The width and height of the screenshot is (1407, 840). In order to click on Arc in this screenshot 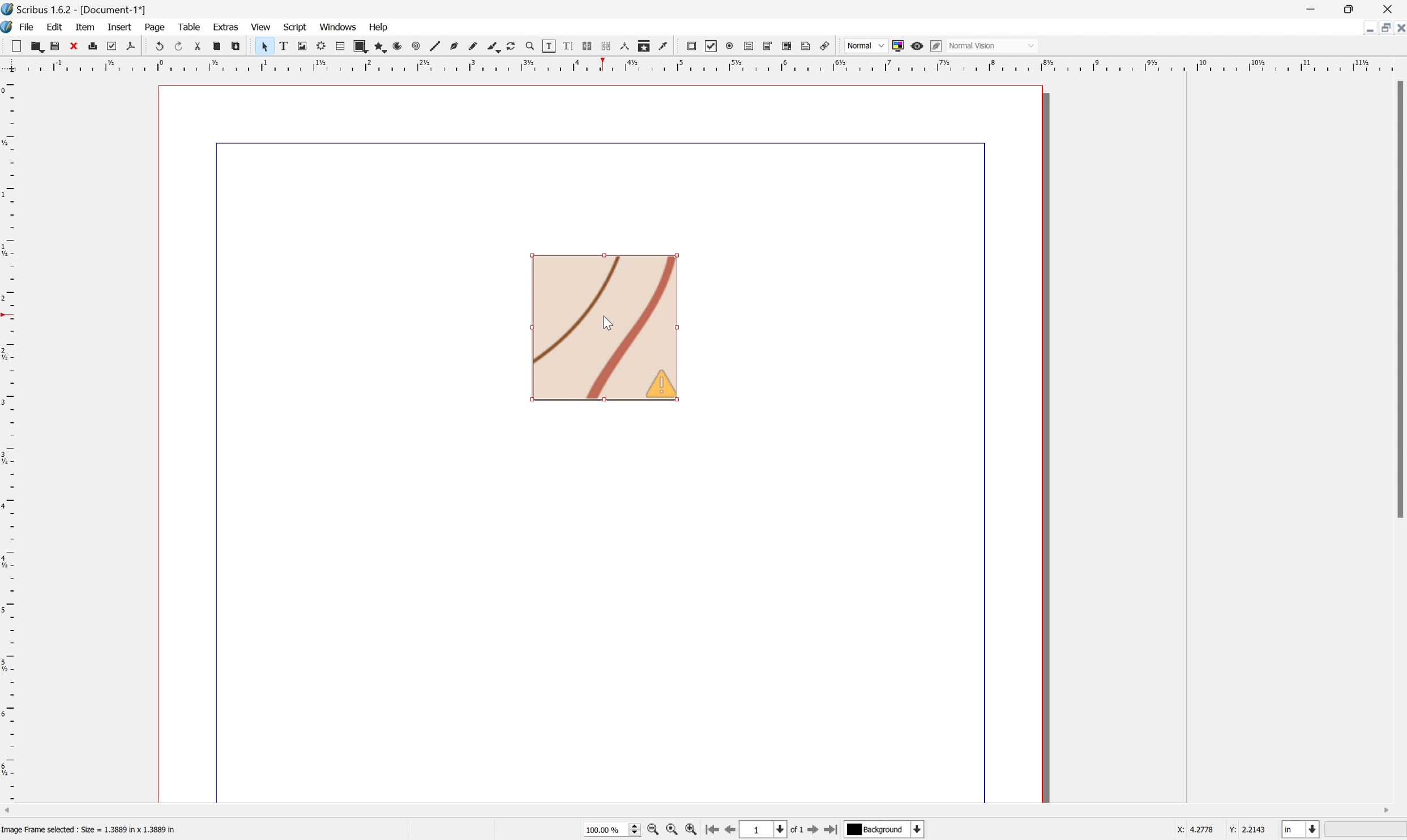, I will do `click(400, 46)`.